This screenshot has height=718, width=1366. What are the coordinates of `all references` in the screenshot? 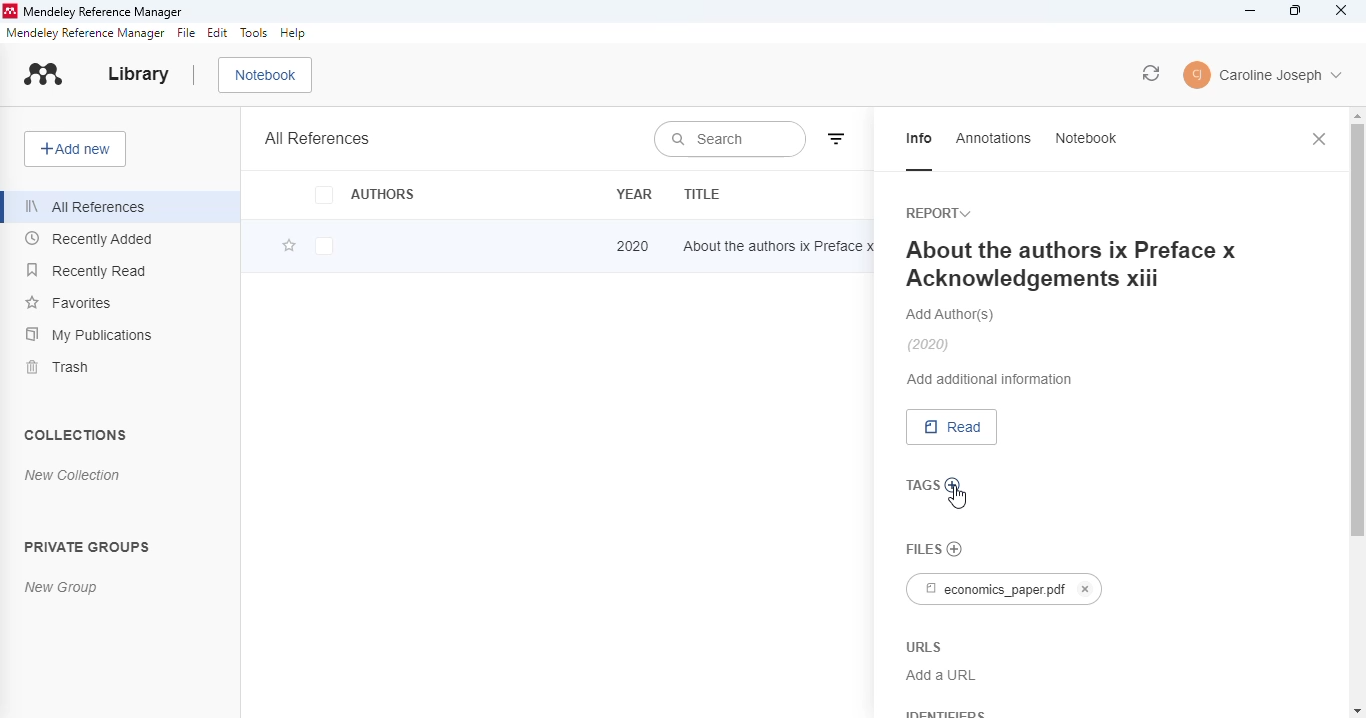 It's located at (318, 138).